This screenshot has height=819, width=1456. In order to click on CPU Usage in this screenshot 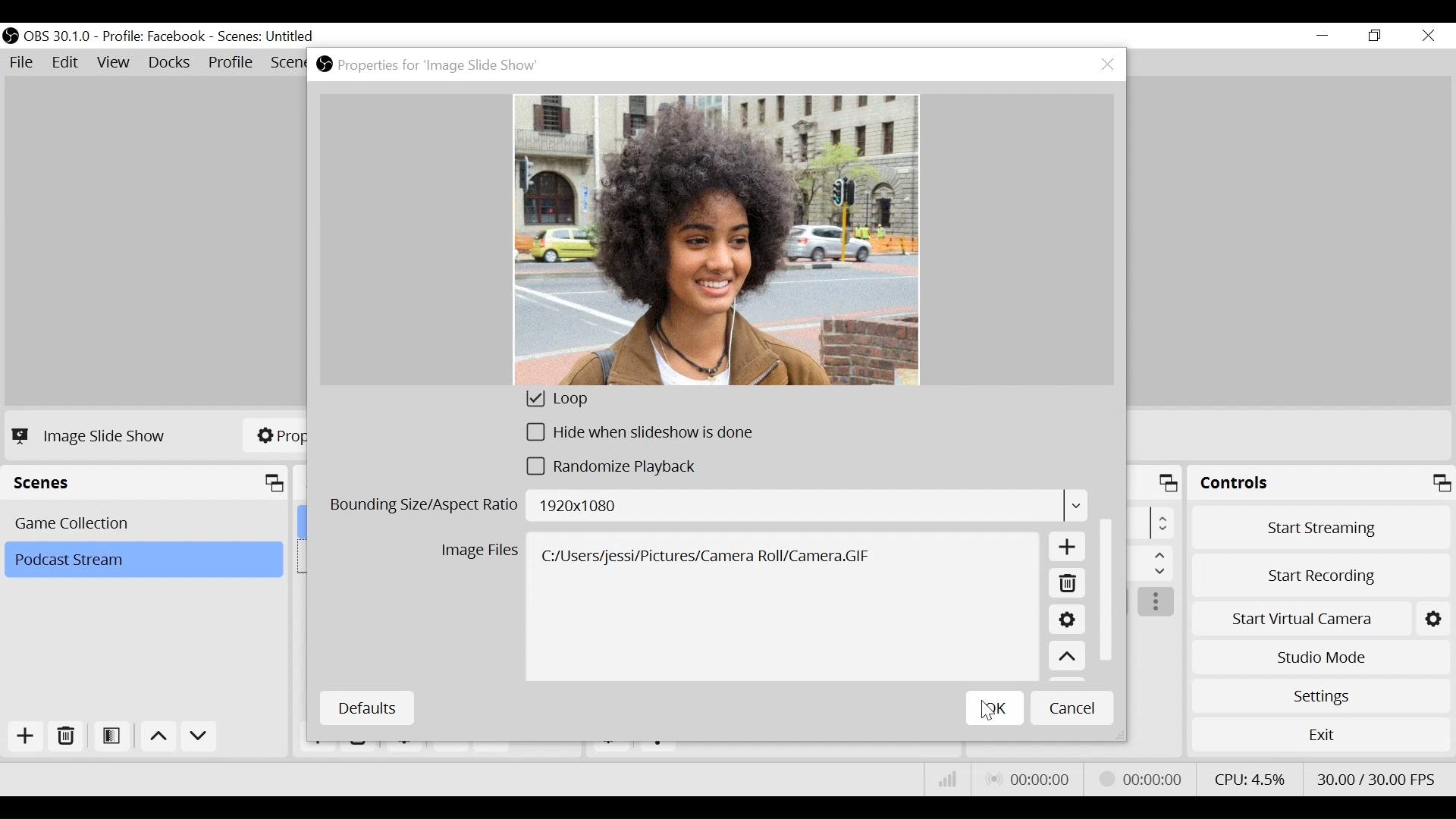, I will do `click(1247, 777)`.